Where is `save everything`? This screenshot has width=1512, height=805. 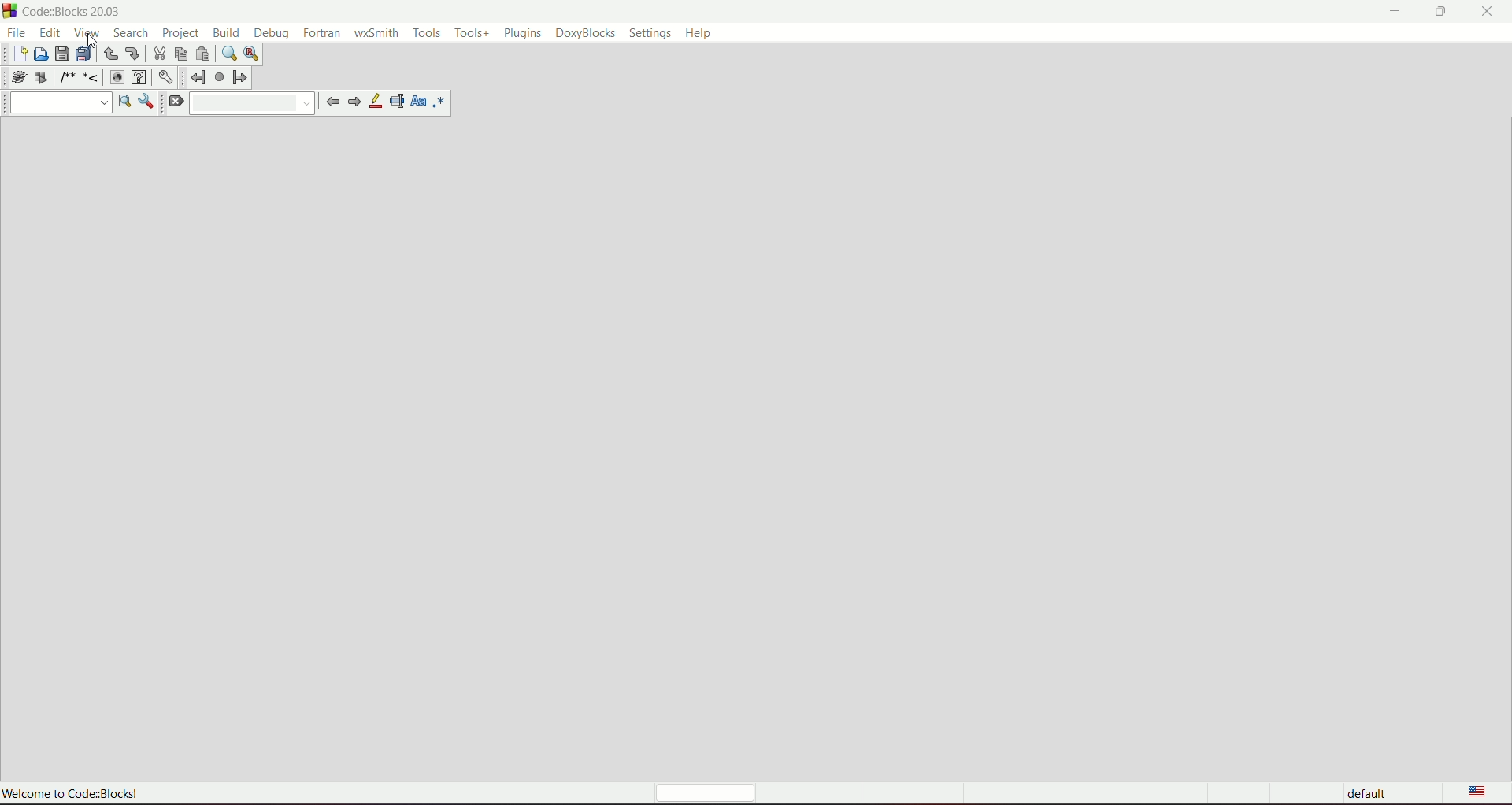 save everything is located at coordinates (87, 54).